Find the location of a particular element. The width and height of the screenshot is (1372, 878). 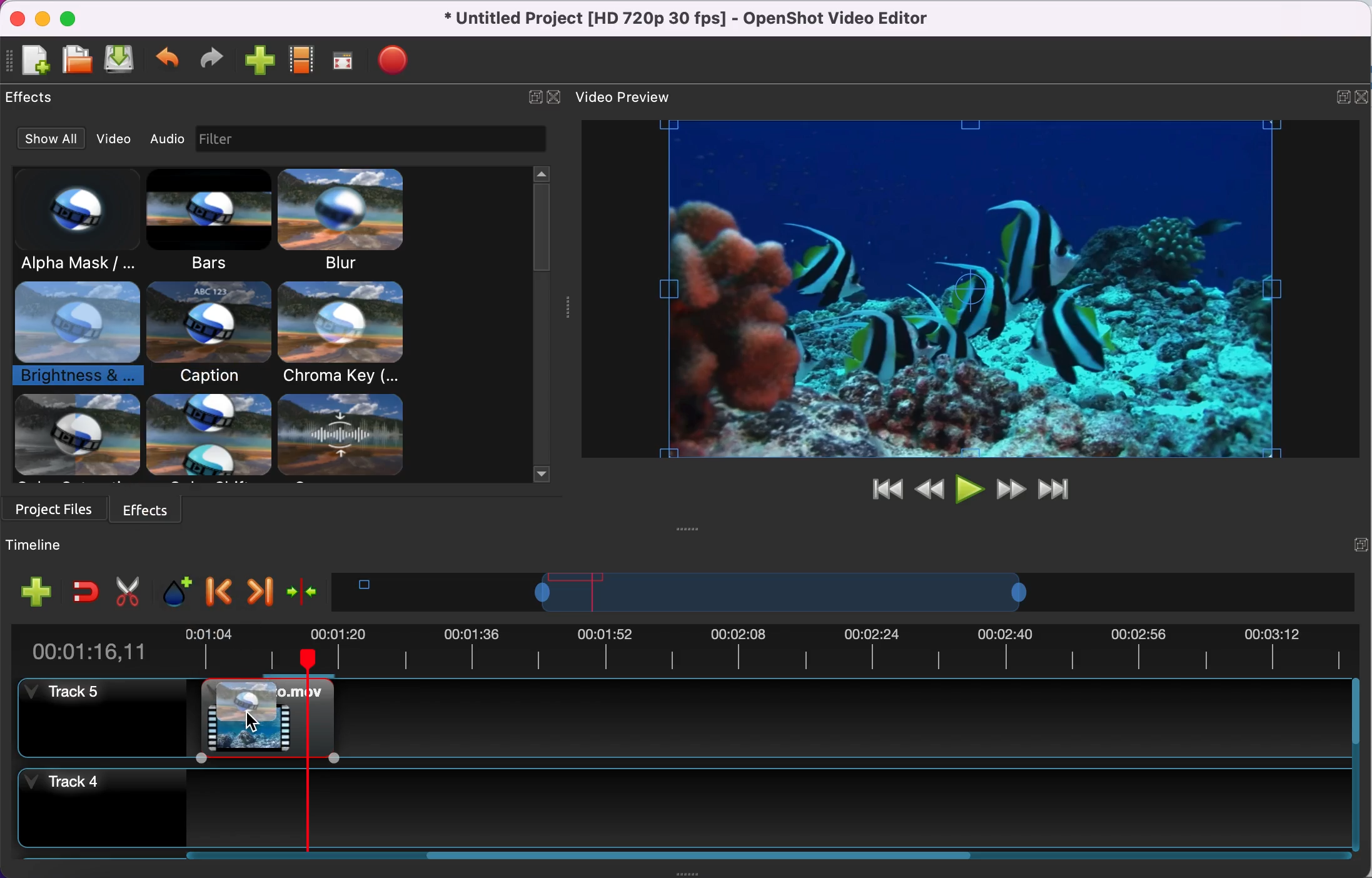

jump to start is located at coordinates (880, 491).